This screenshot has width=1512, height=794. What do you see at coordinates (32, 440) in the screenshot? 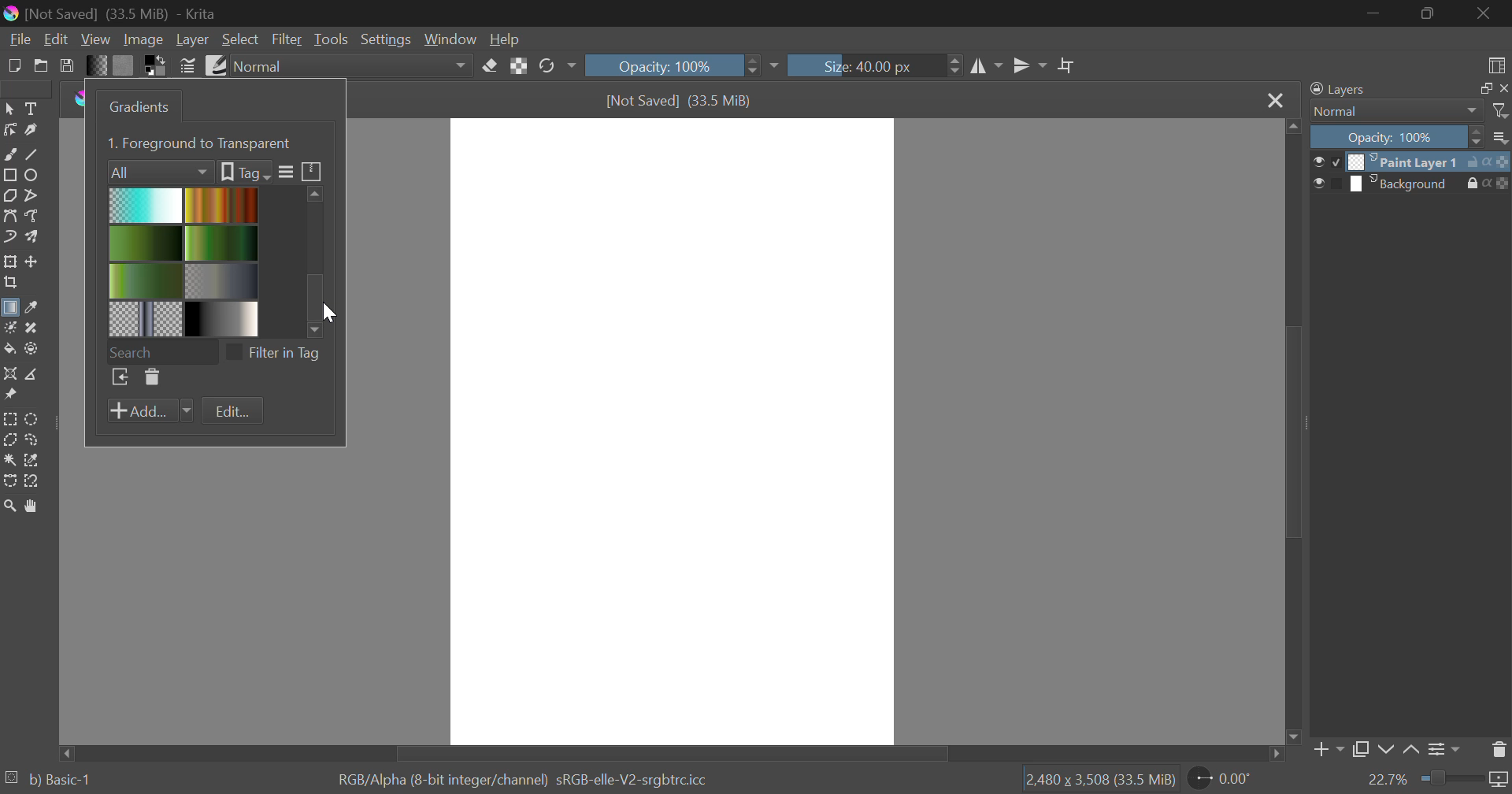
I see `Freehand Selection` at bounding box center [32, 440].